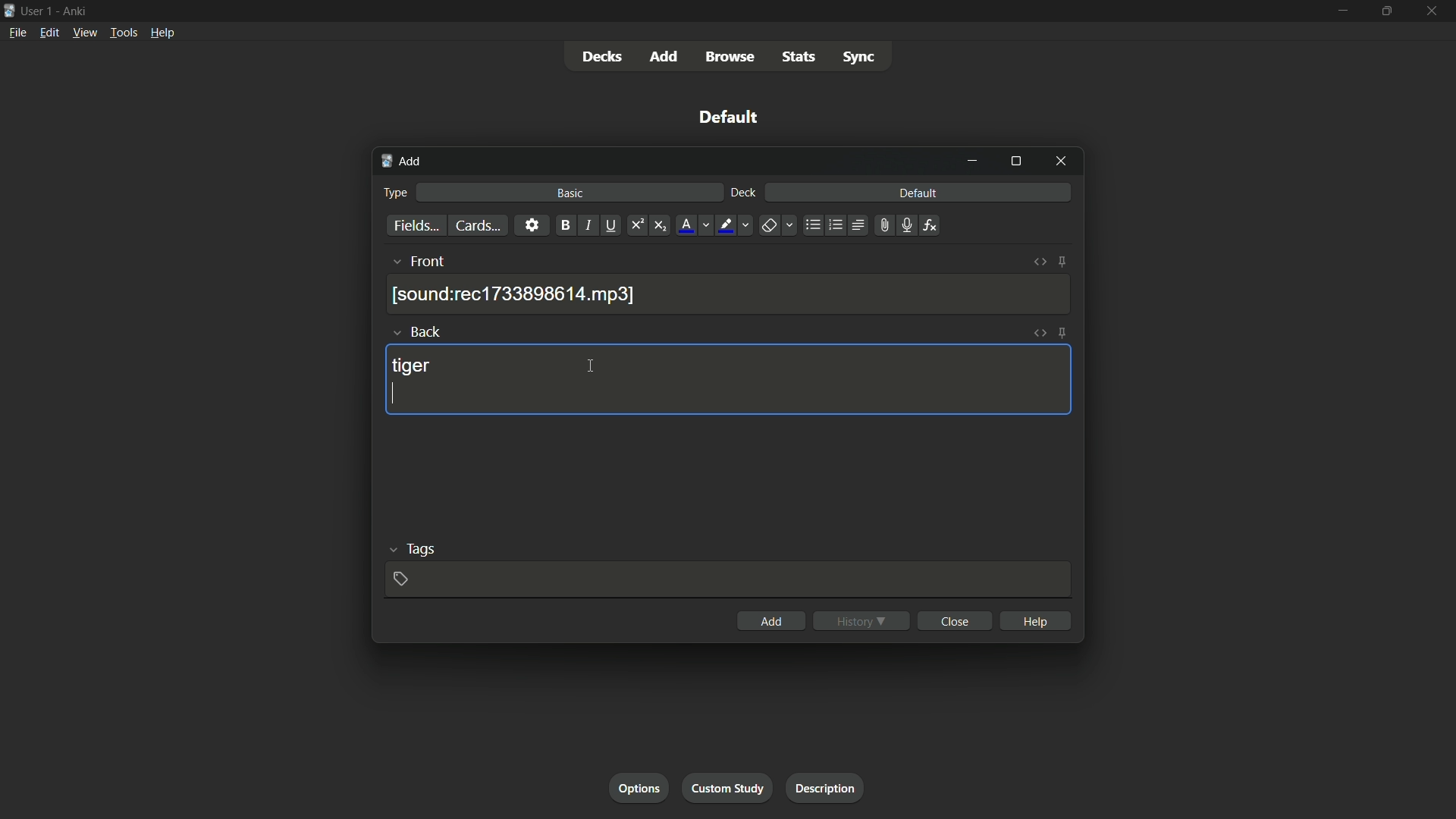  What do you see at coordinates (1387, 11) in the screenshot?
I see `maximize` at bounding box center [1387, 11].